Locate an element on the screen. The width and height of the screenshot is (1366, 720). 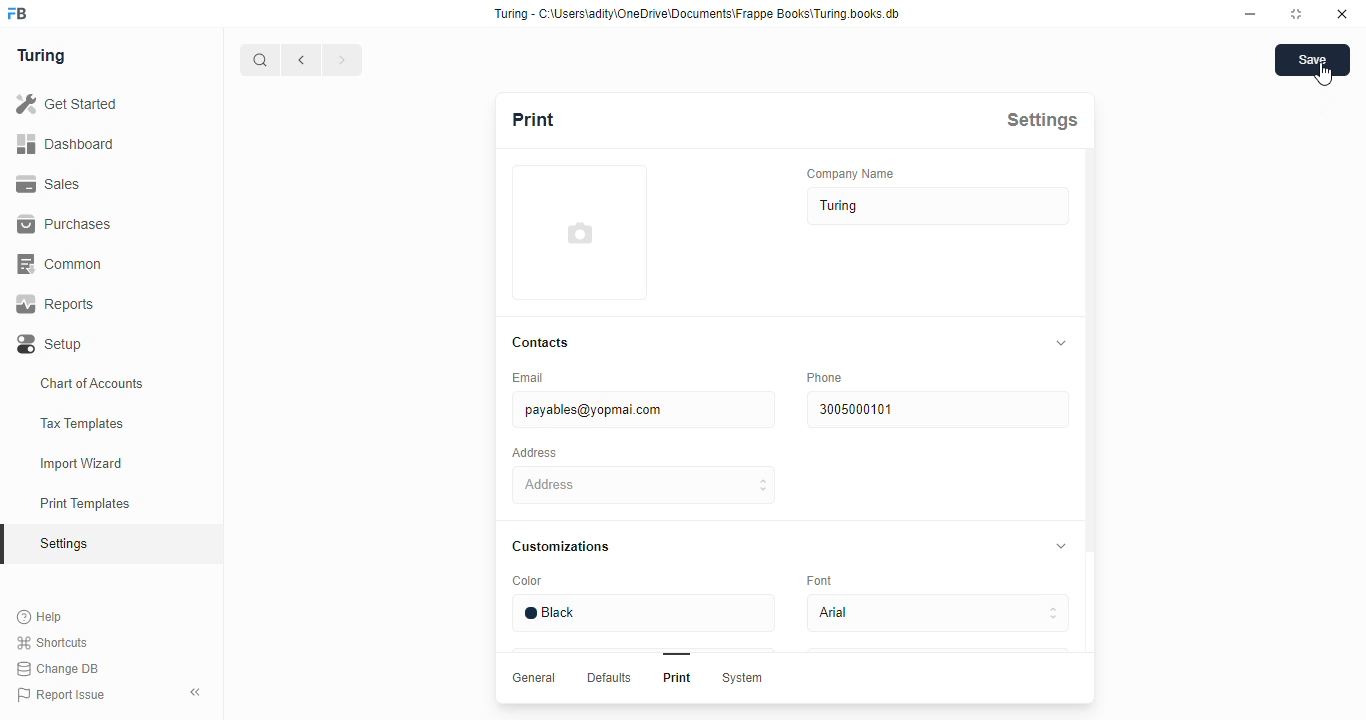
Help is located at coordinates (43, 616).